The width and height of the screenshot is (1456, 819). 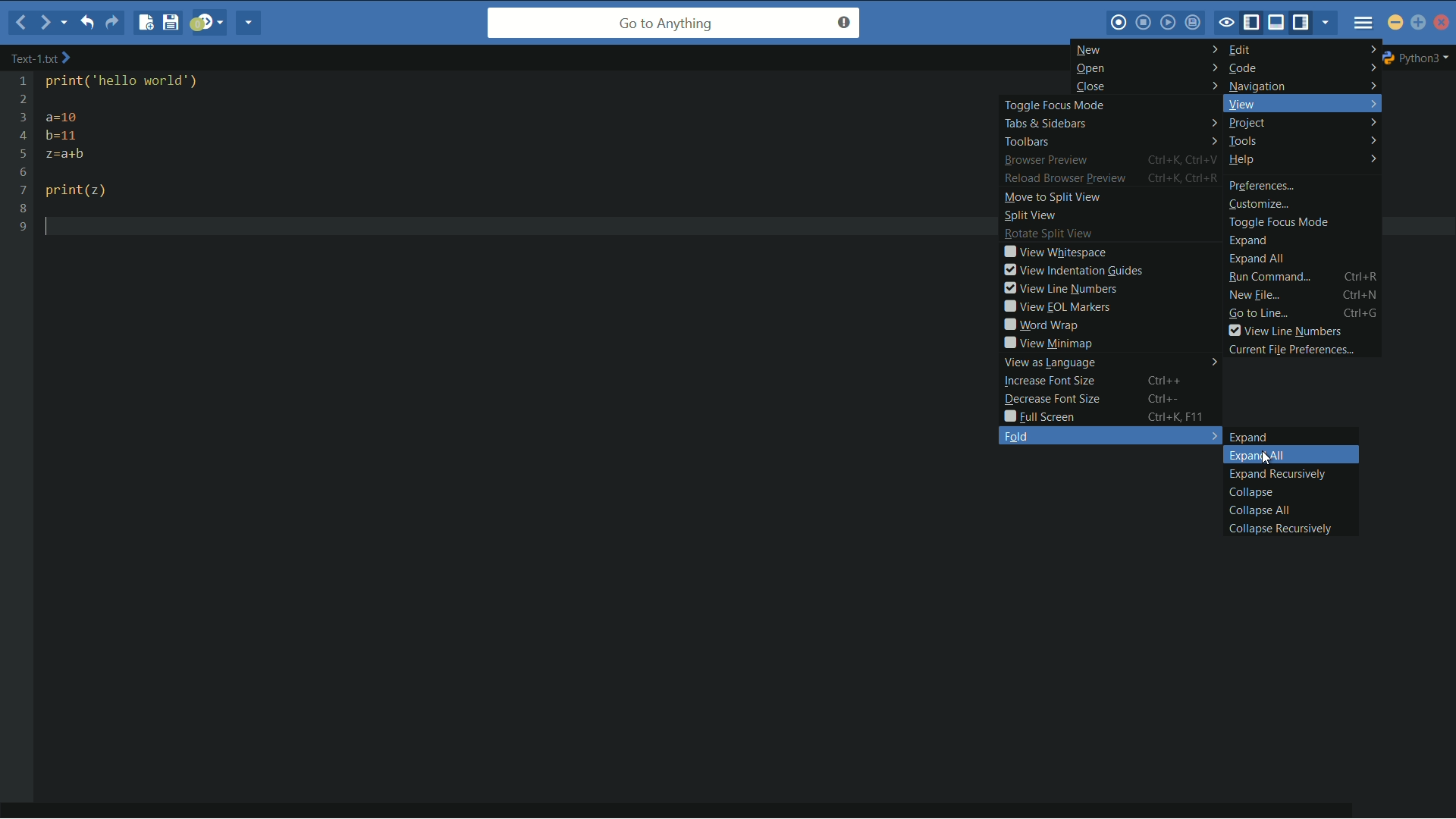 What do you see at coordinates (17, 24) in the screenshot?
I see `back` at bounding box center [17, 24].